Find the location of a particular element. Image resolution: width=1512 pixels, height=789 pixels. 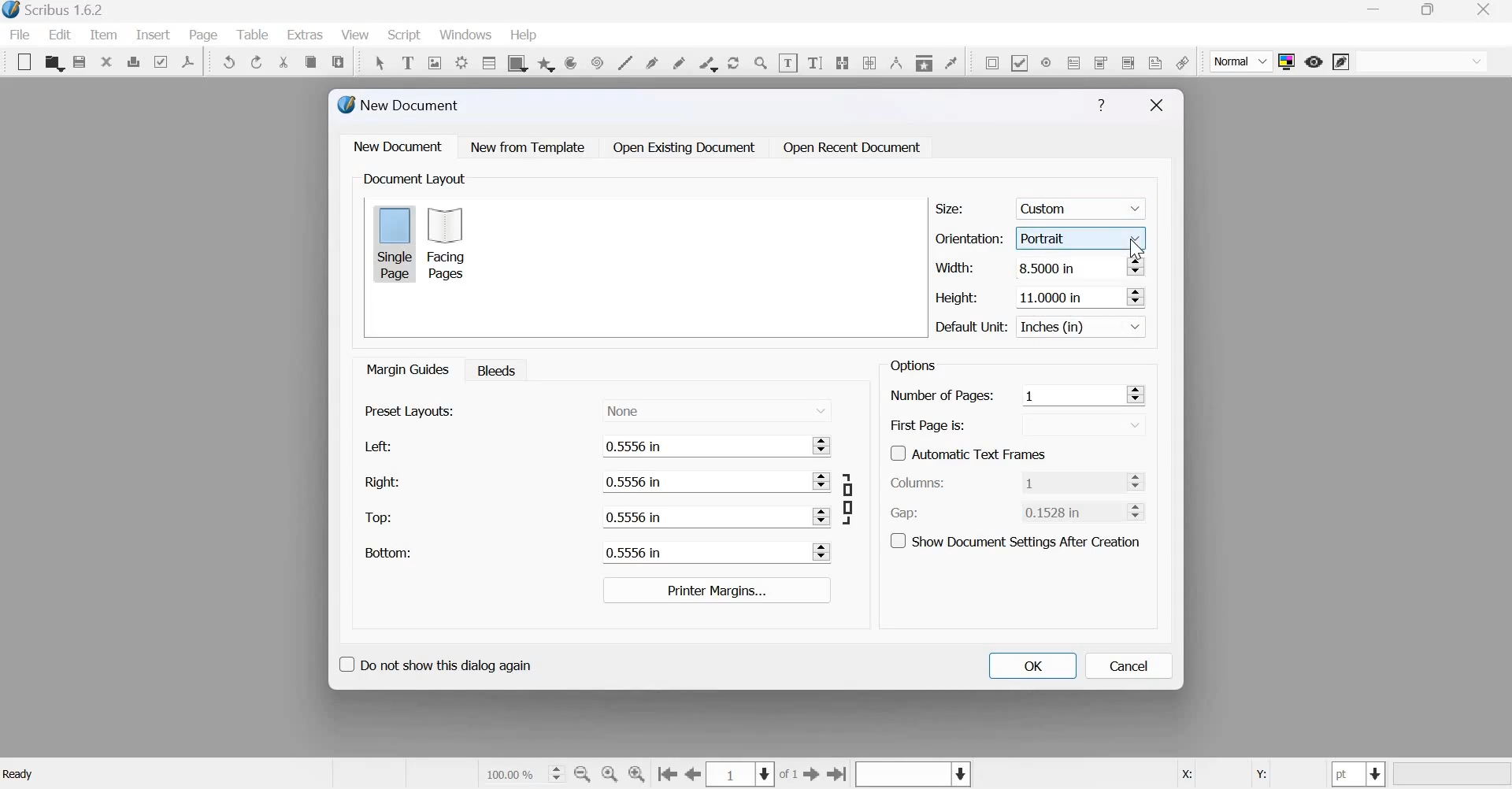

Ready is located at coordinates (20, 774).